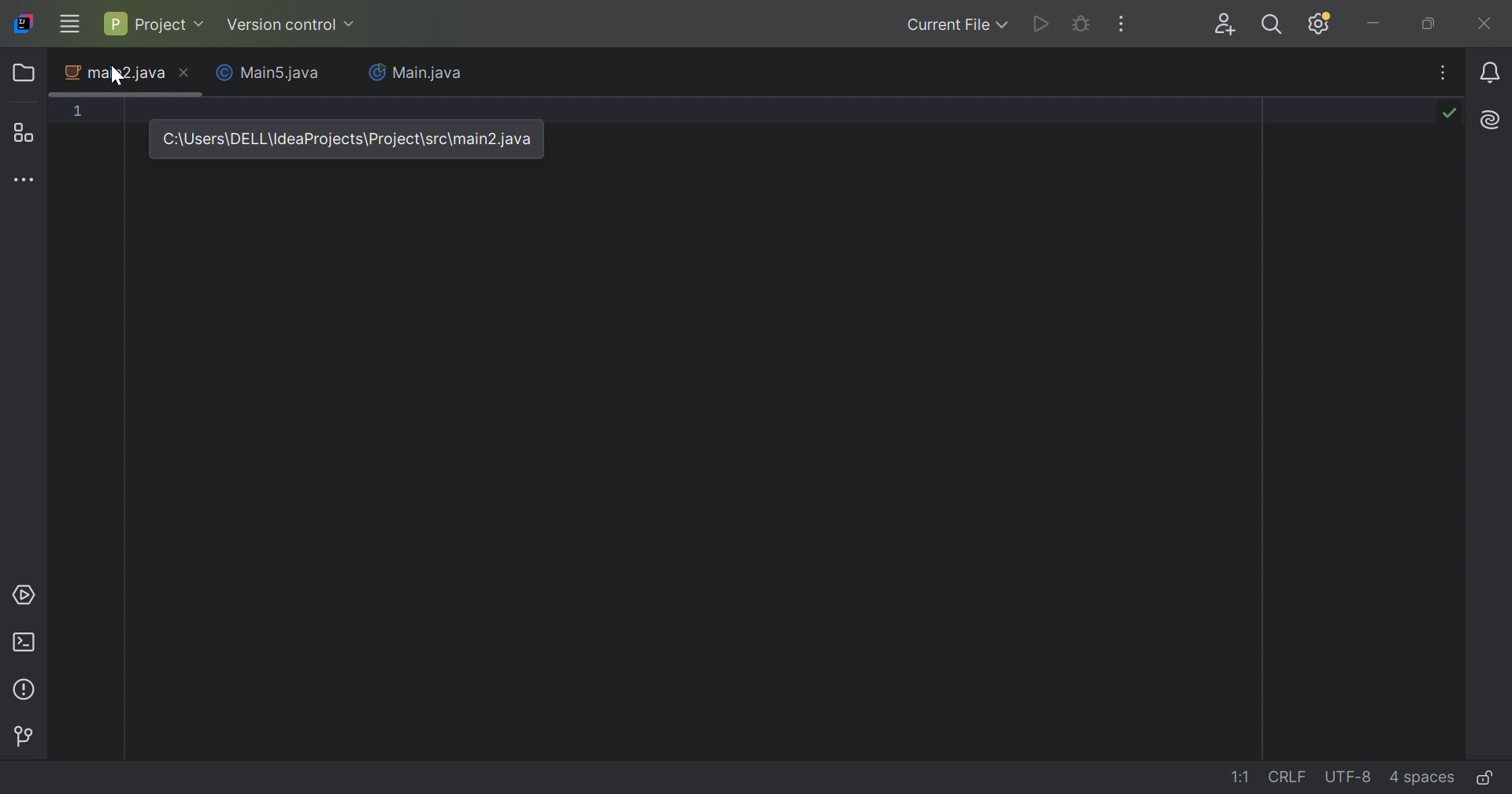 The width and height of the screenshot is (1512, 794). I want to click on Services, so click(24, 595).